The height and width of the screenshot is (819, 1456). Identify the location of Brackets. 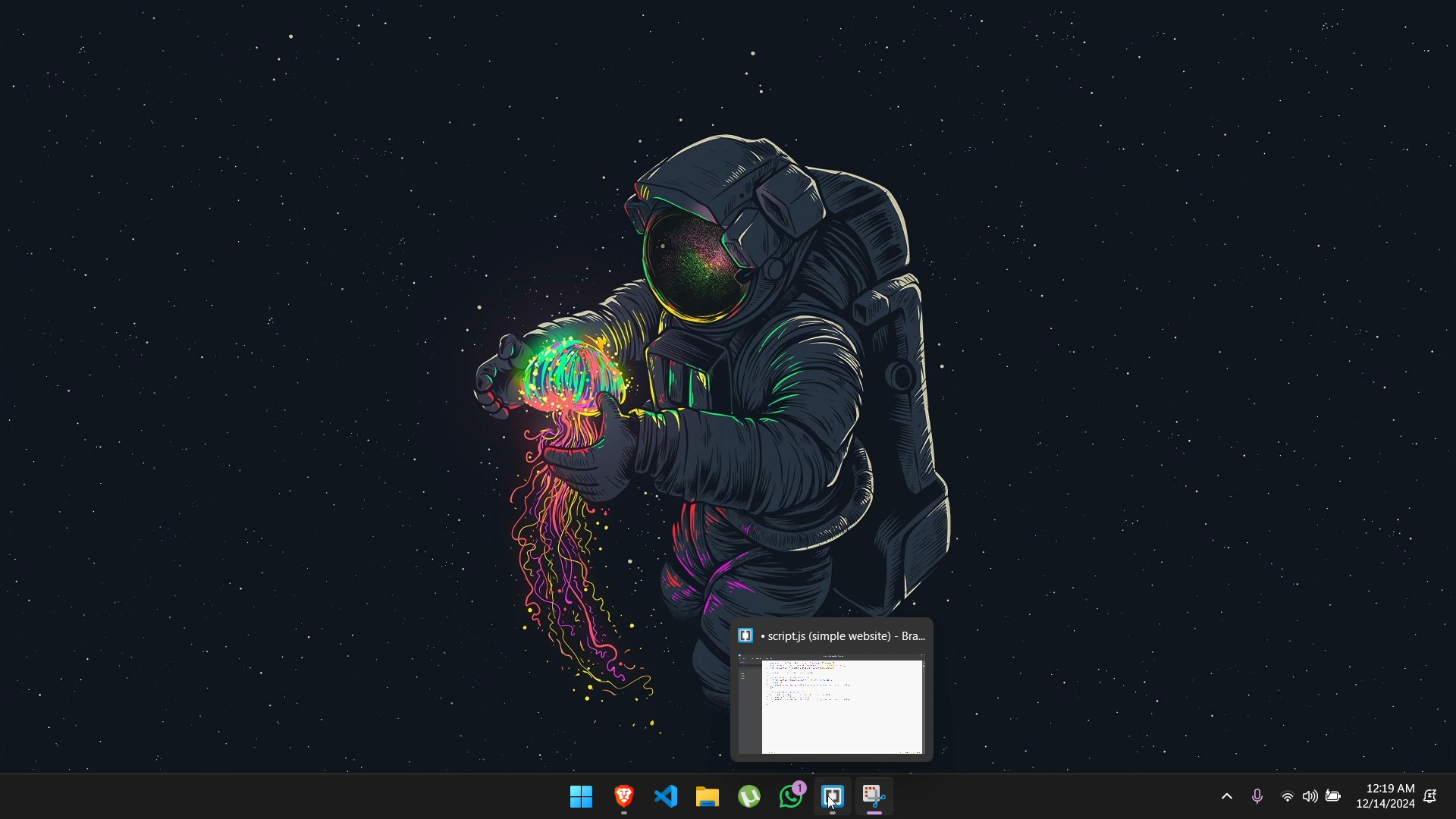
(833, 797).